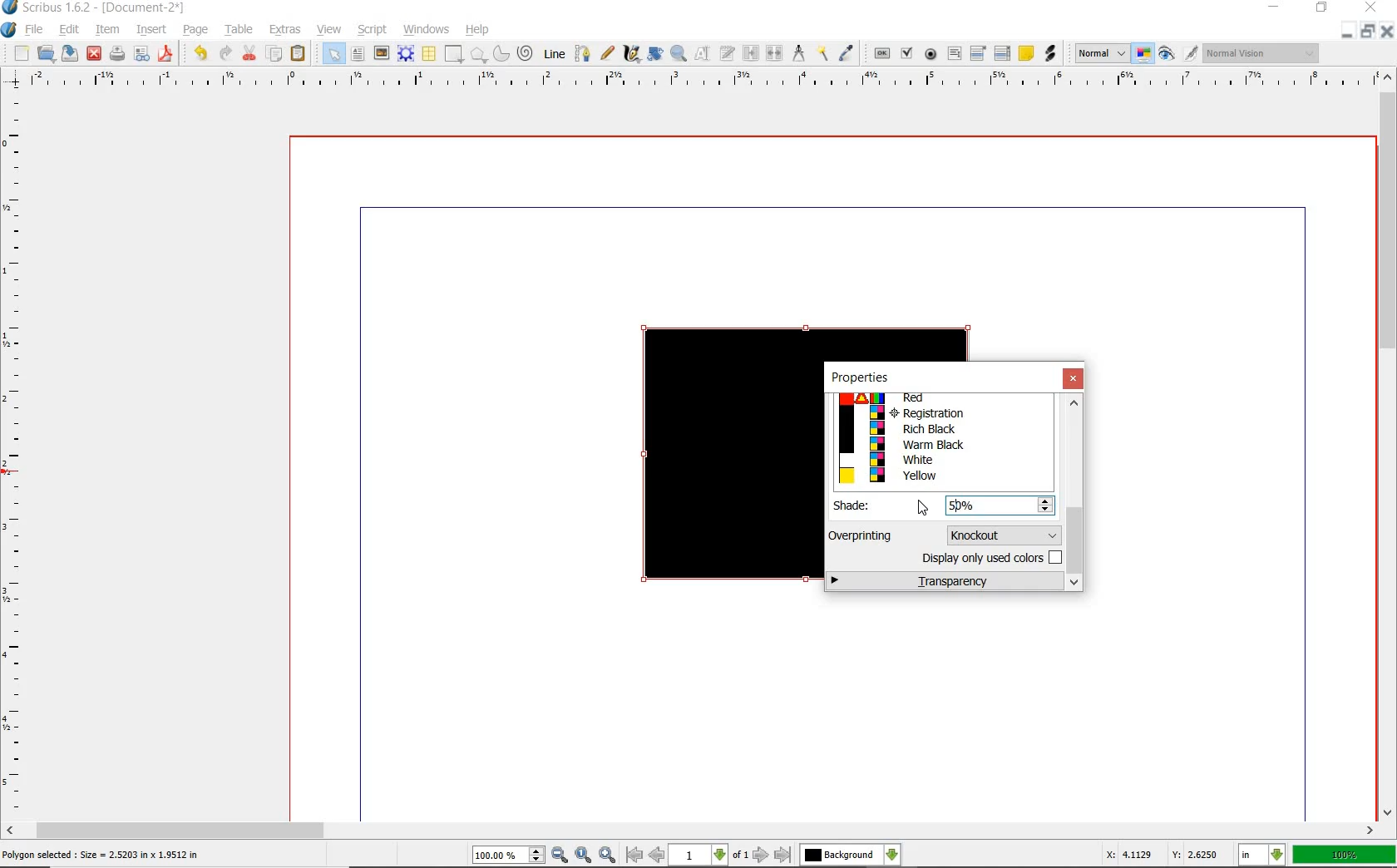  Describe the element at coordinates (1026, 53) in the screenshot. I see `text annotation` at that location.